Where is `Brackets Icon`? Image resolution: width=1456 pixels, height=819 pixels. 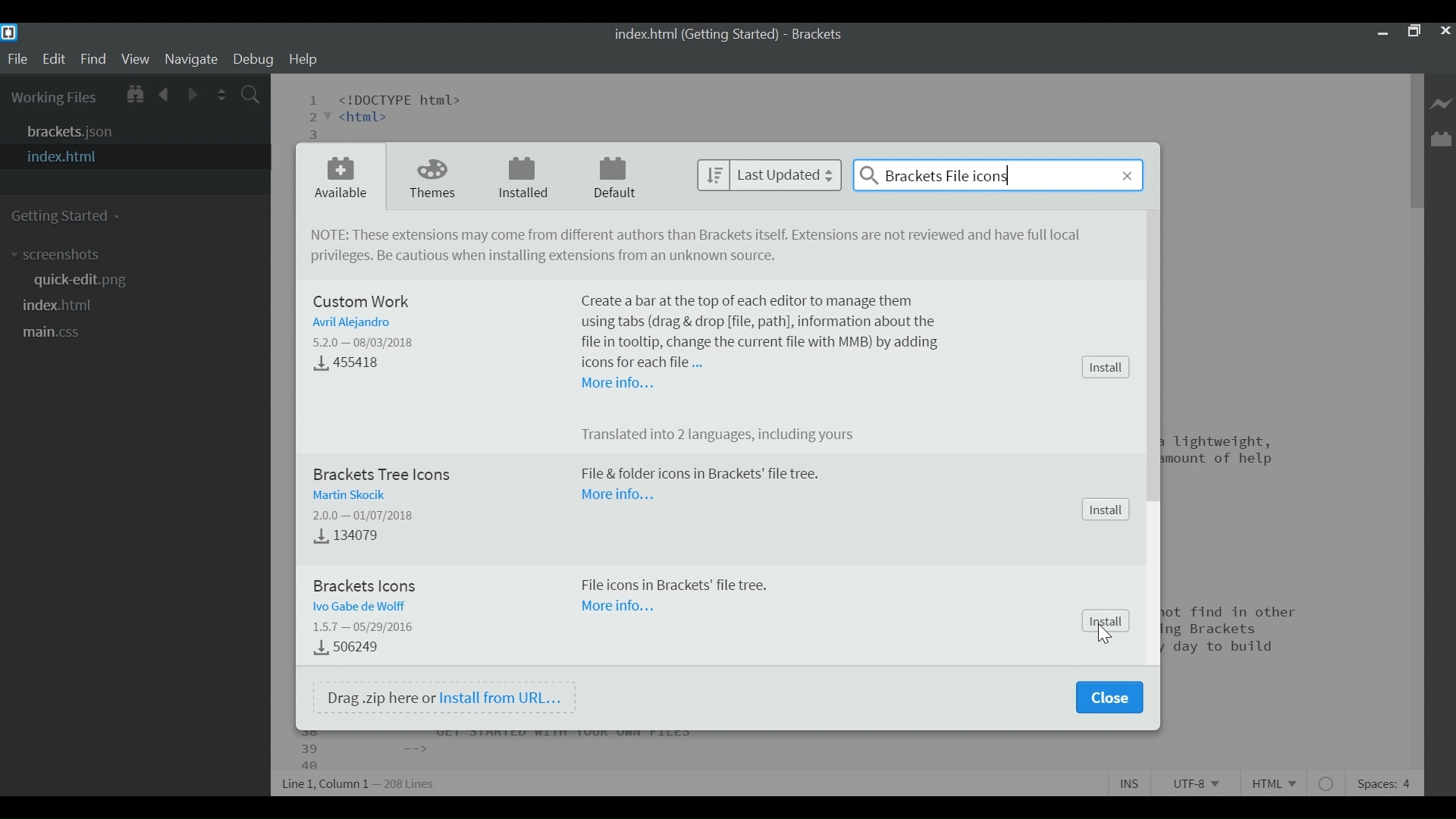 Brackets Icon is located at coordinates (371, 583).